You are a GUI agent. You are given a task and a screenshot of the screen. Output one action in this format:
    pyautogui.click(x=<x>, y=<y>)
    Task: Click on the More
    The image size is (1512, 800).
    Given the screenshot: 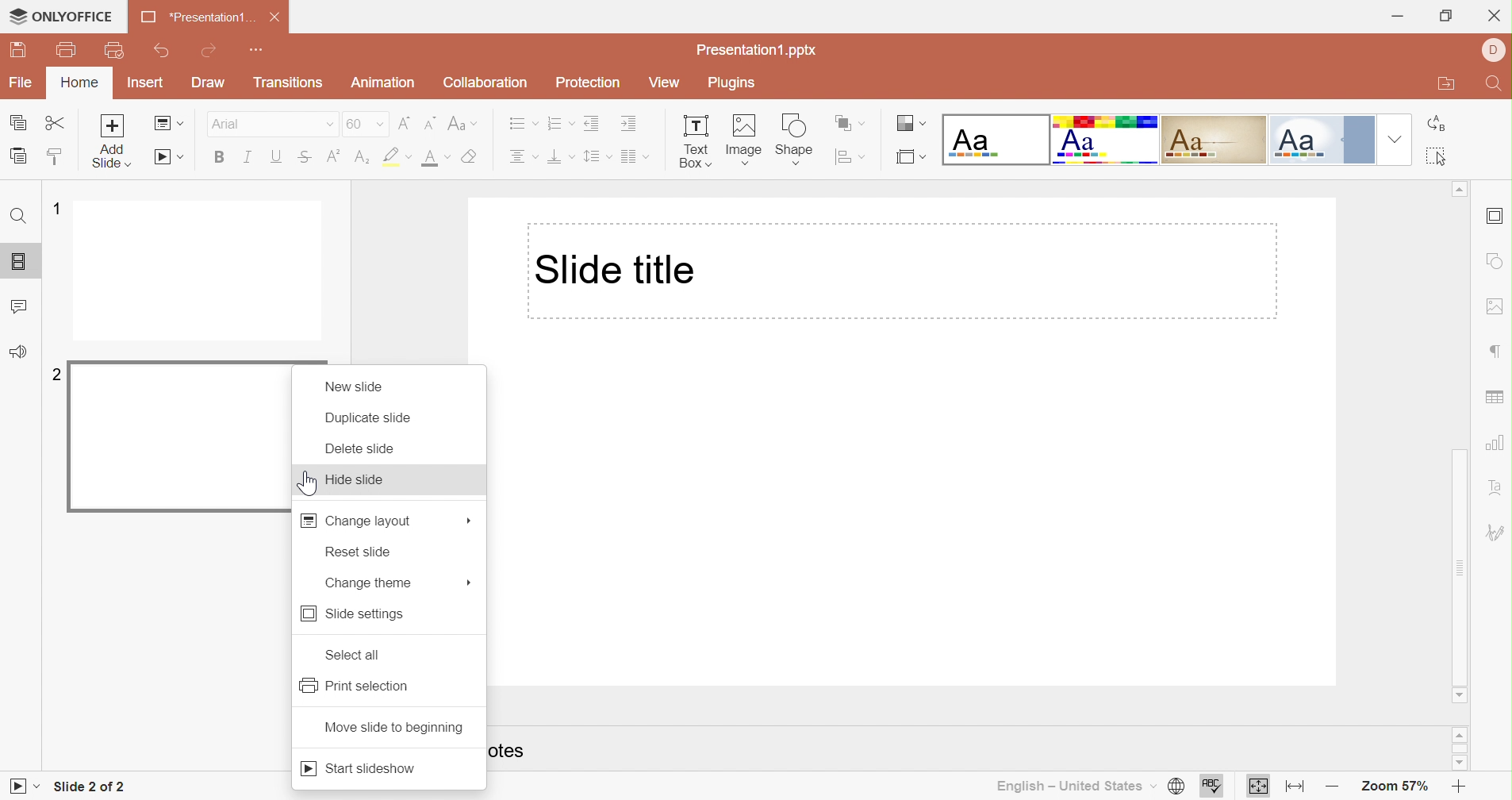 What is the action you would take?
    pyautogui.click(x=471, y=521)
    